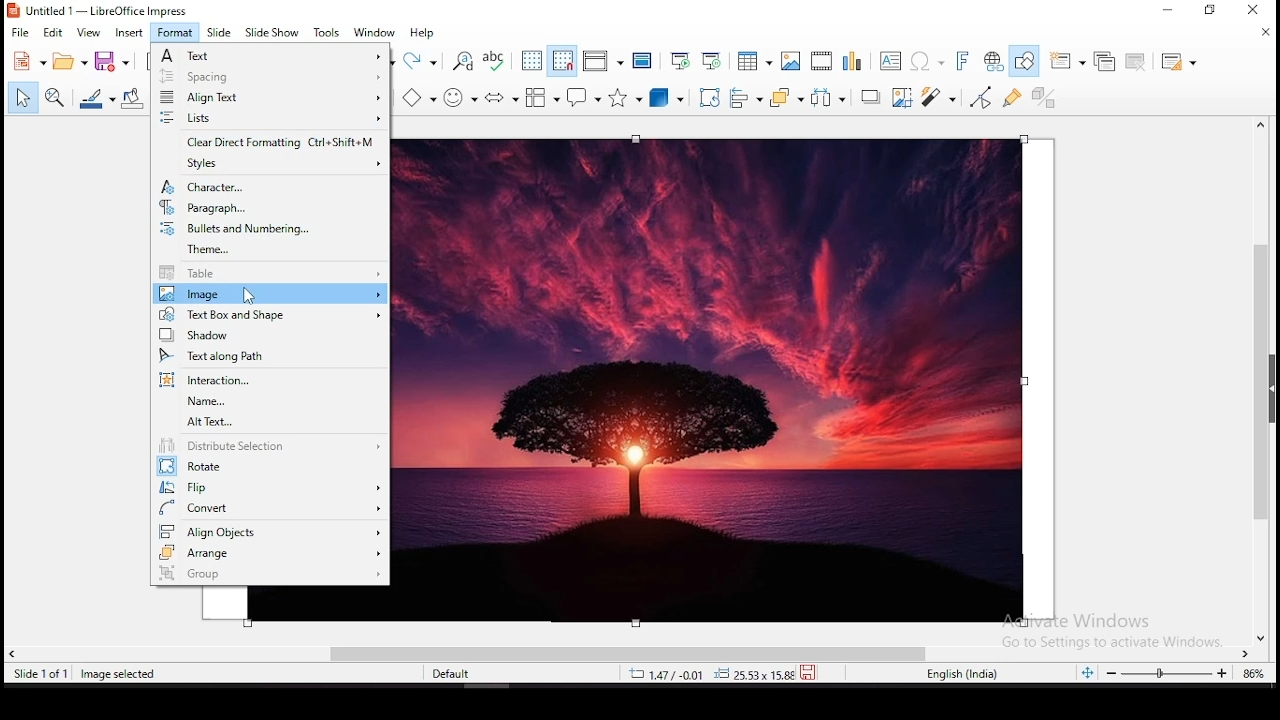 This screenshot has height=720, width=1280. I want to click on stars and banners, so click(627, 98).